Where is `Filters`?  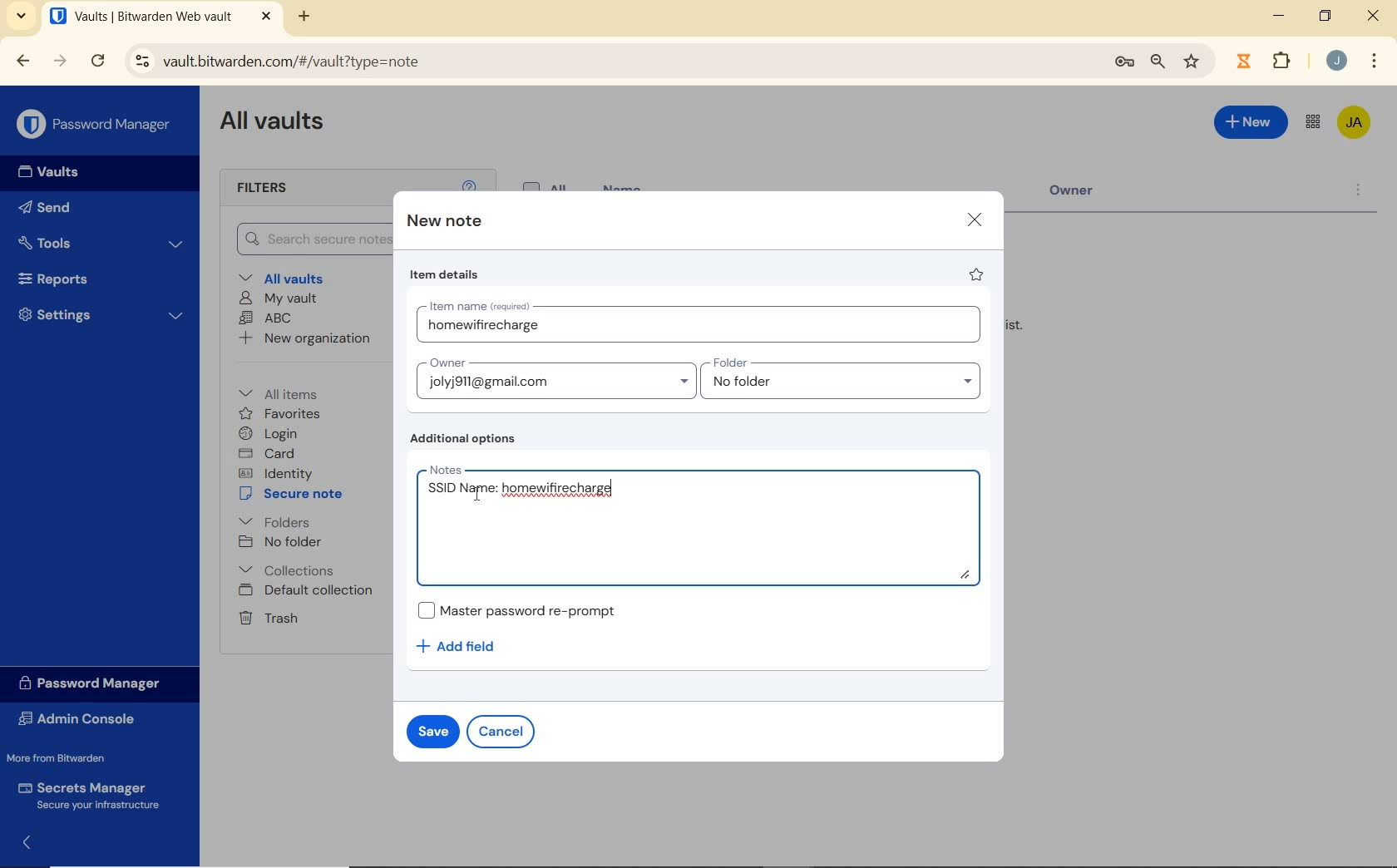 Filters is located at coordinates (281, 189).